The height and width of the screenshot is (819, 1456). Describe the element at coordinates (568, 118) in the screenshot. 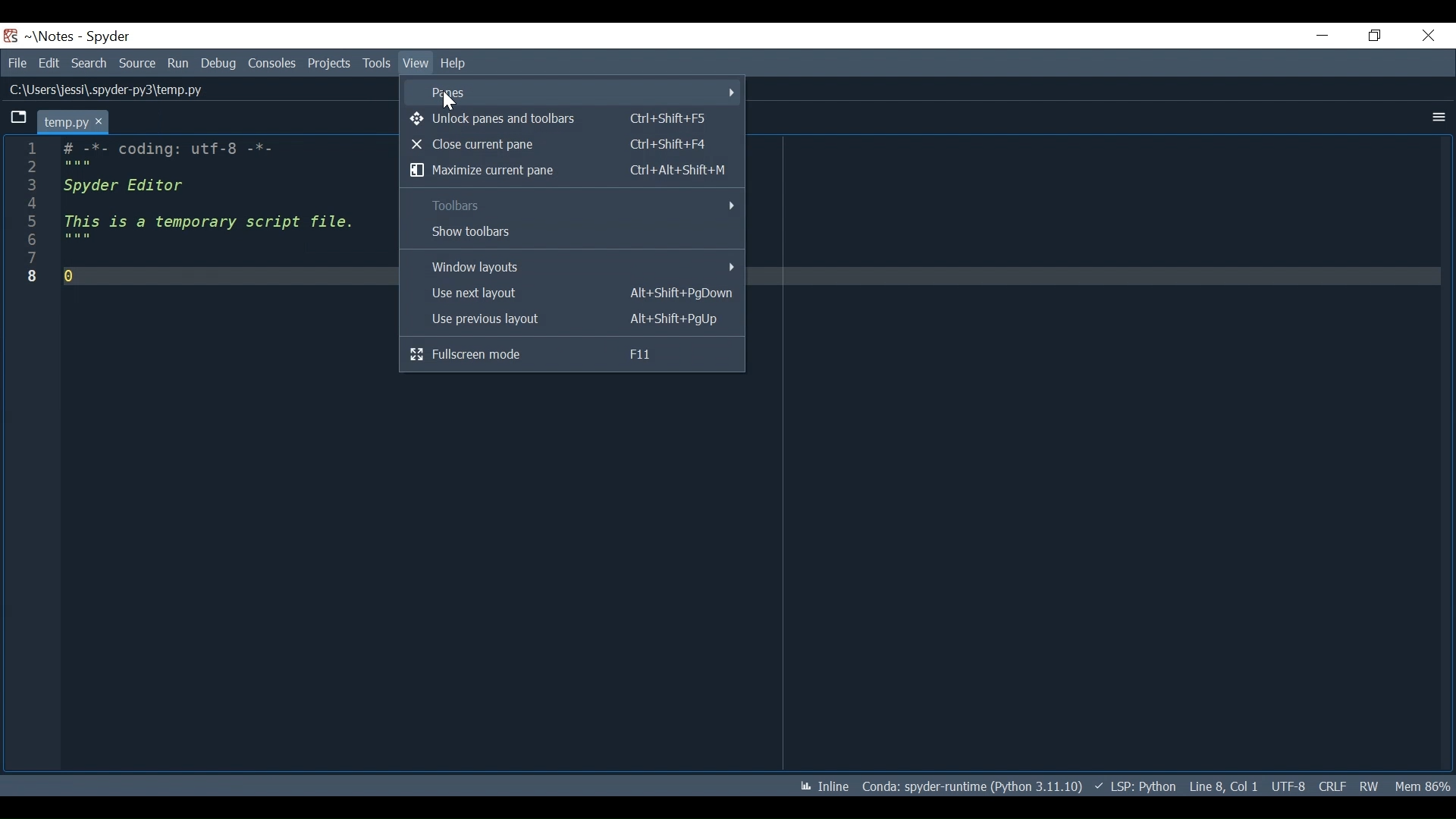

I see `Unlock panes and toolbars` at that location.